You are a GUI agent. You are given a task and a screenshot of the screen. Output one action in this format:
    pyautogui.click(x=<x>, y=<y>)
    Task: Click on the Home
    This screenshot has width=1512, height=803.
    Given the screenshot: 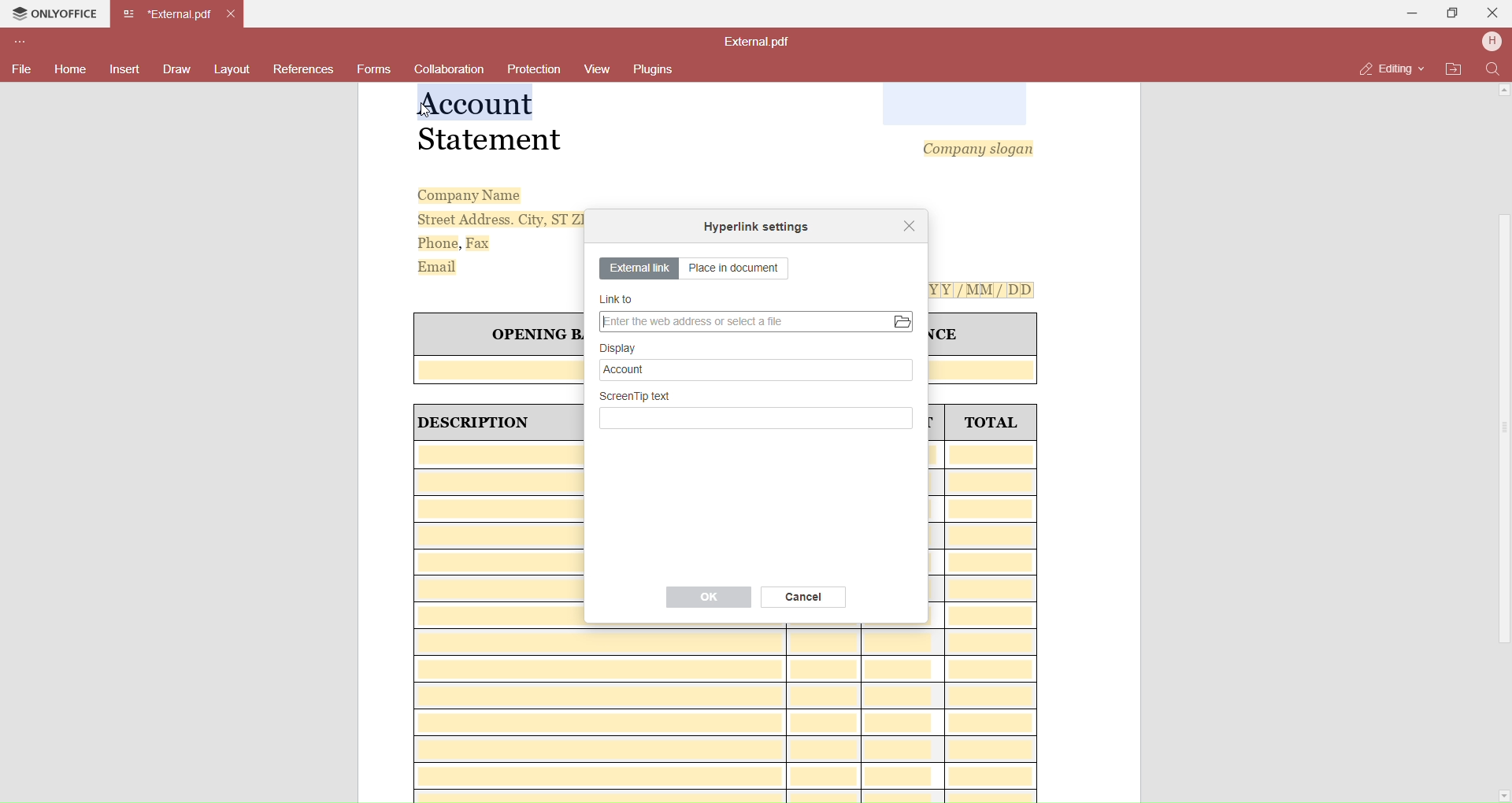 What is the action you would take?
    pyautogui.click(x=72, y=71)
    